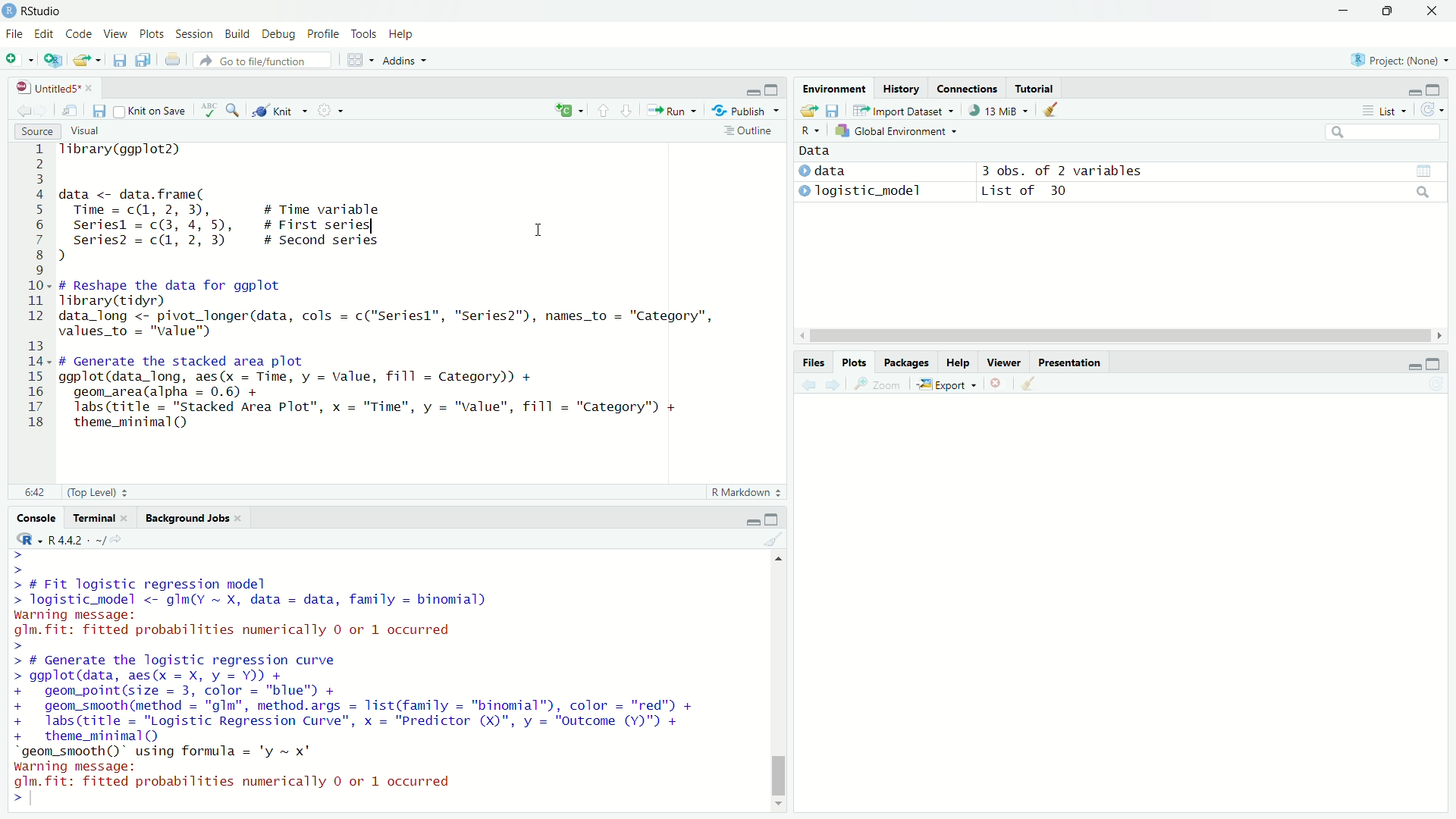 This screenshot has height=819, width=1456. What do you see at coordinates (273, 32) in the screenshot?
I see `Debug` at bounding box center [273, 32].